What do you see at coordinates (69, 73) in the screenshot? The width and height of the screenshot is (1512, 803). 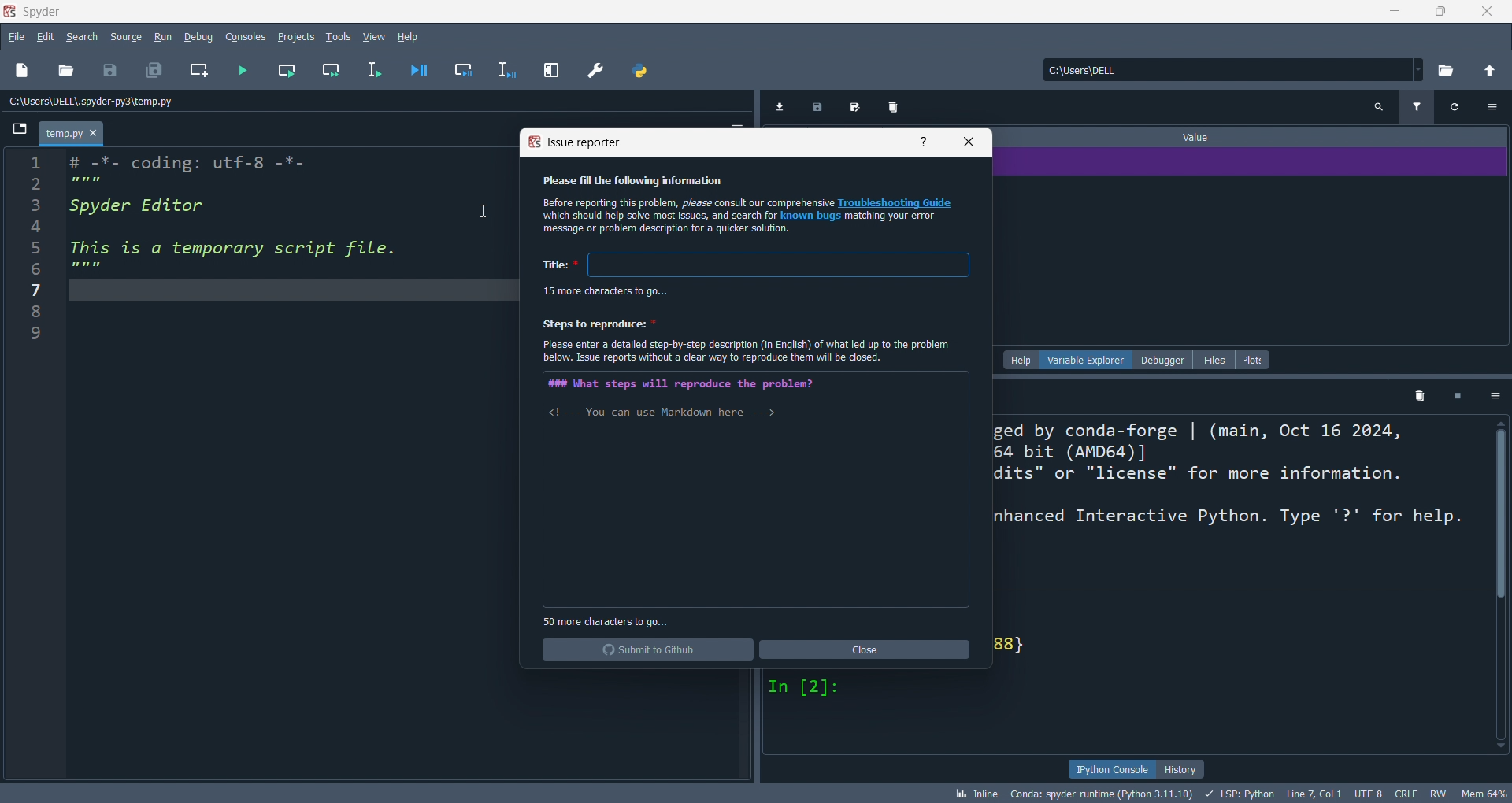 I see `open file` at bounding box center [69, 73].